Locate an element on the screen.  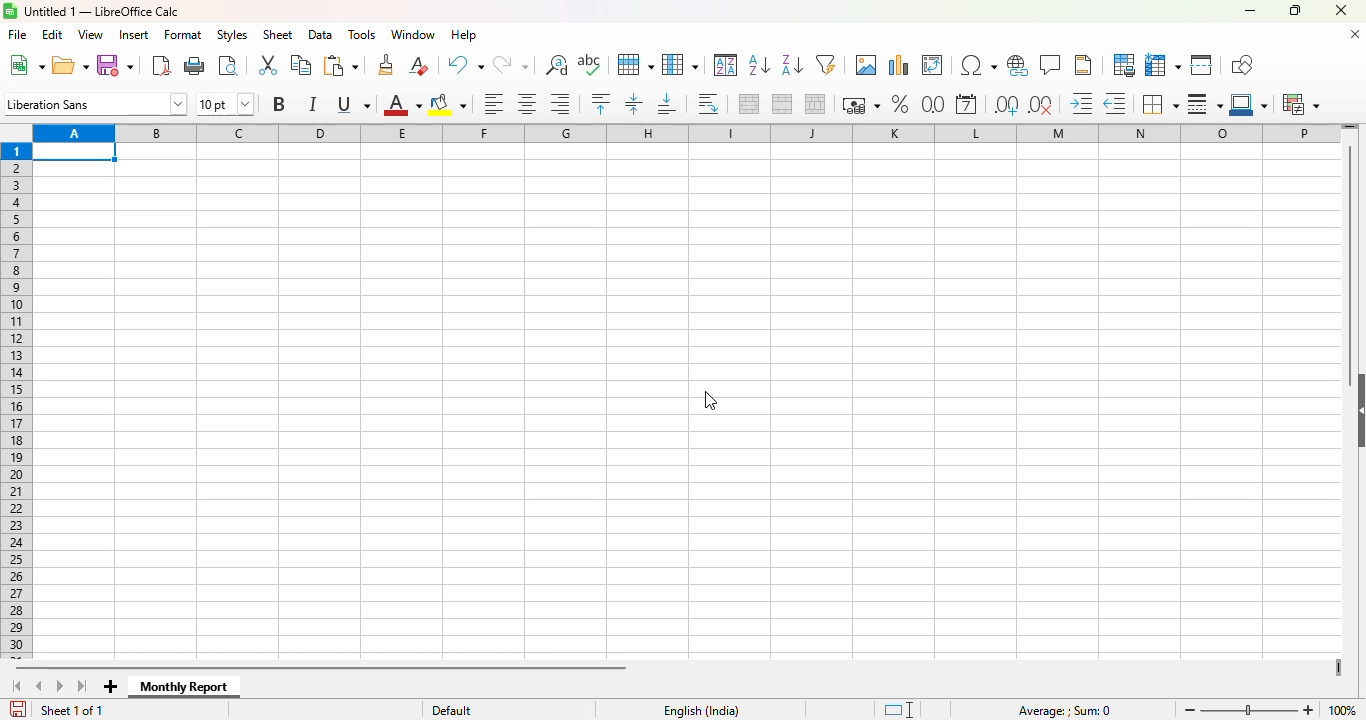
rows is located at coordinates (16, 401).